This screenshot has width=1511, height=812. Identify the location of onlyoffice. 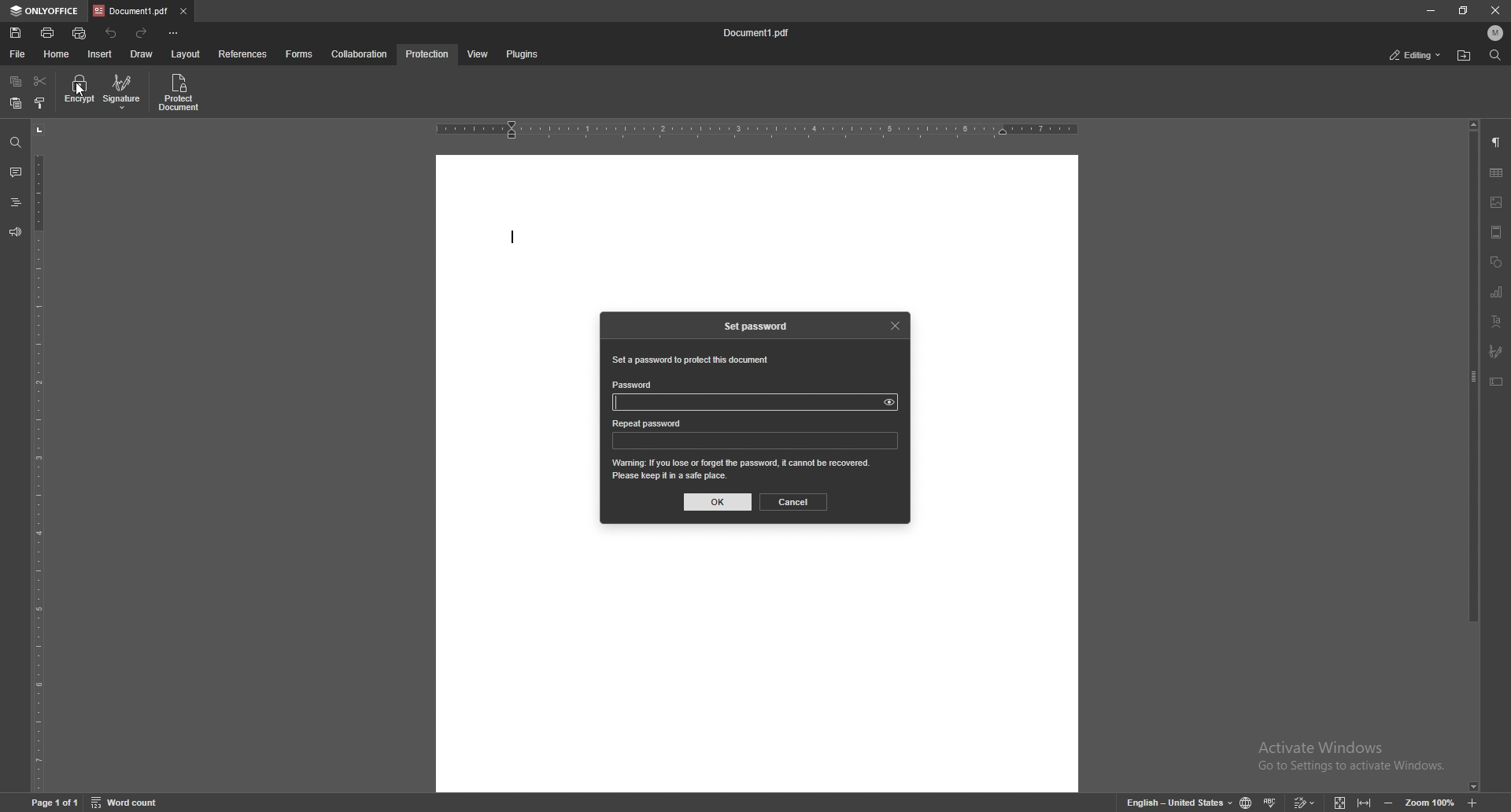
(43, 11).